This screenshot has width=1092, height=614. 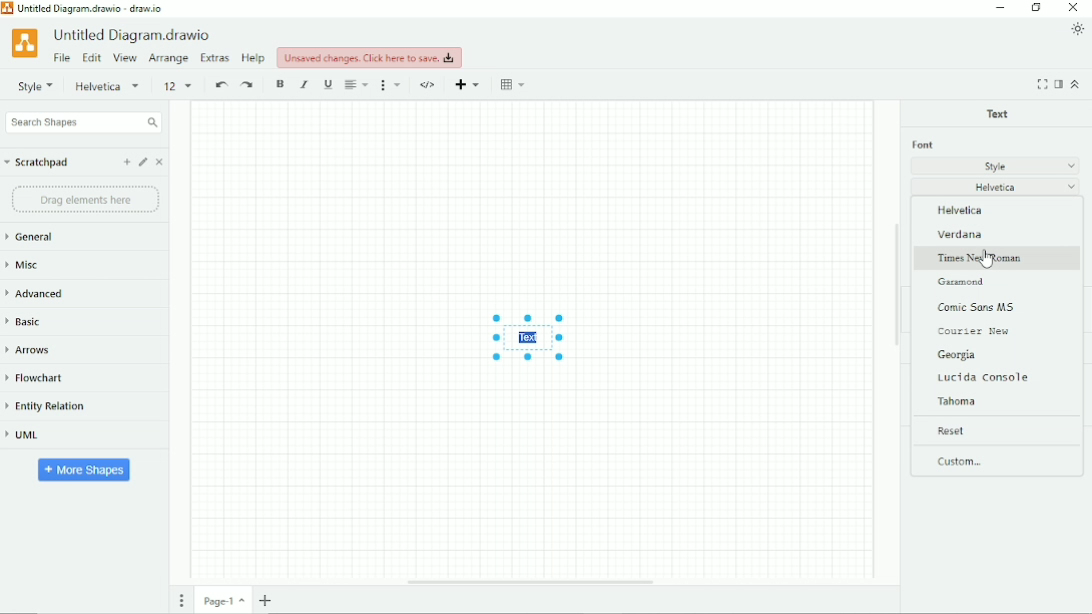 I want to click on View, so click(x=126, y=57).